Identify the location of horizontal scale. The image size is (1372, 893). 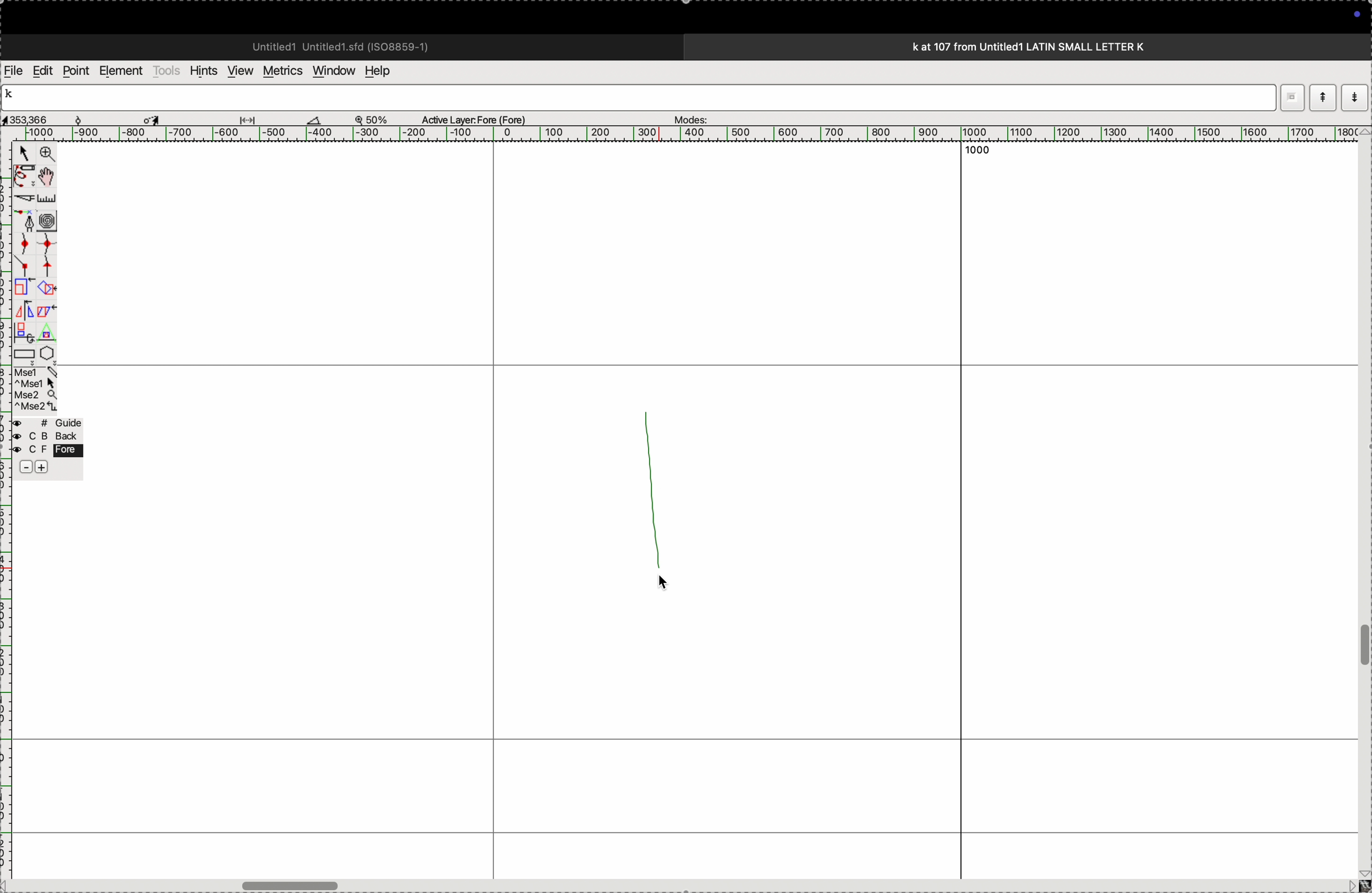
(673, 134).